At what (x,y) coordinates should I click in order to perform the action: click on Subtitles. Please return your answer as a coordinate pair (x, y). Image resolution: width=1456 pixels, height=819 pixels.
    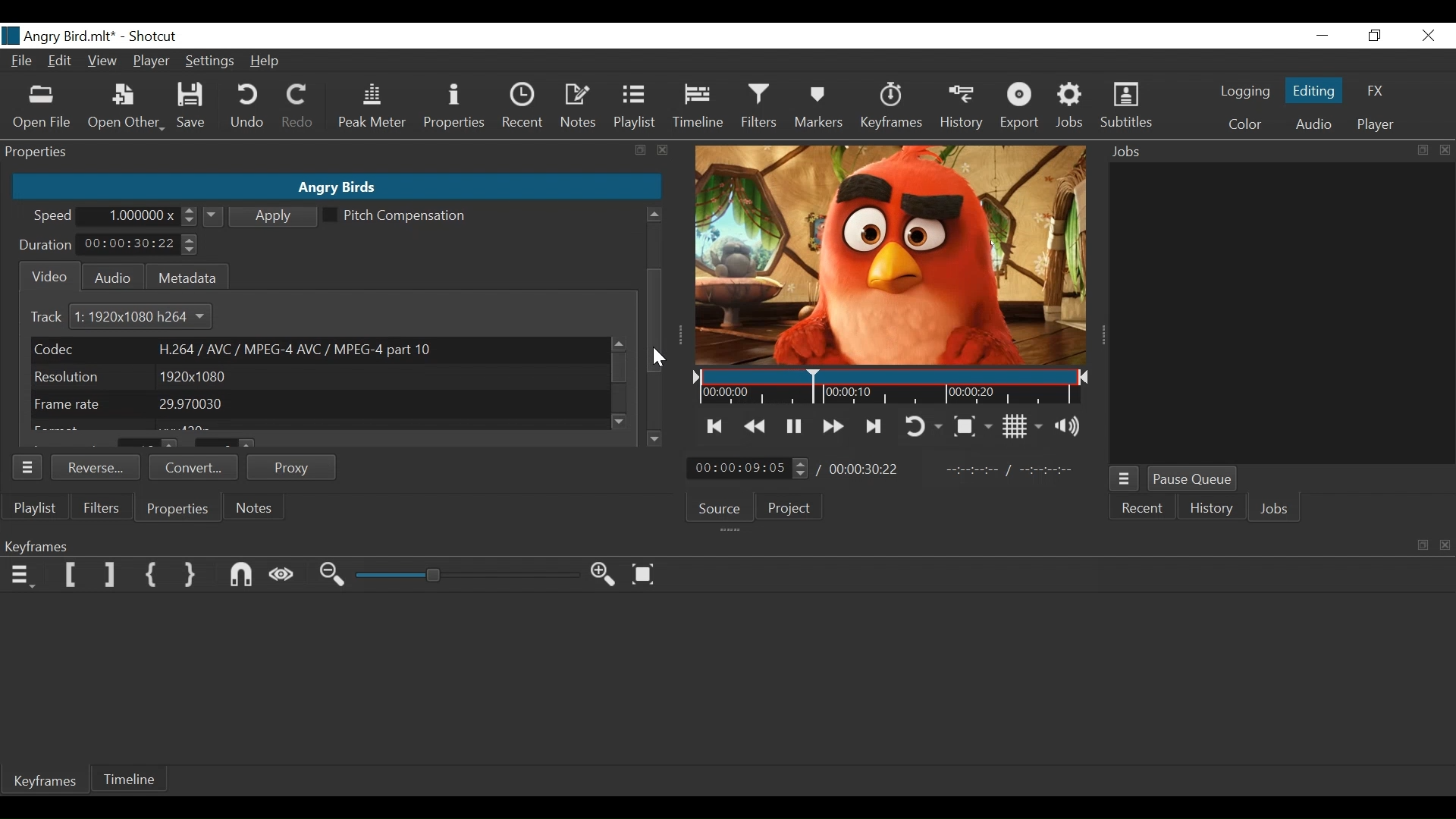
    Looking at the image, I should click on (1127, 108).